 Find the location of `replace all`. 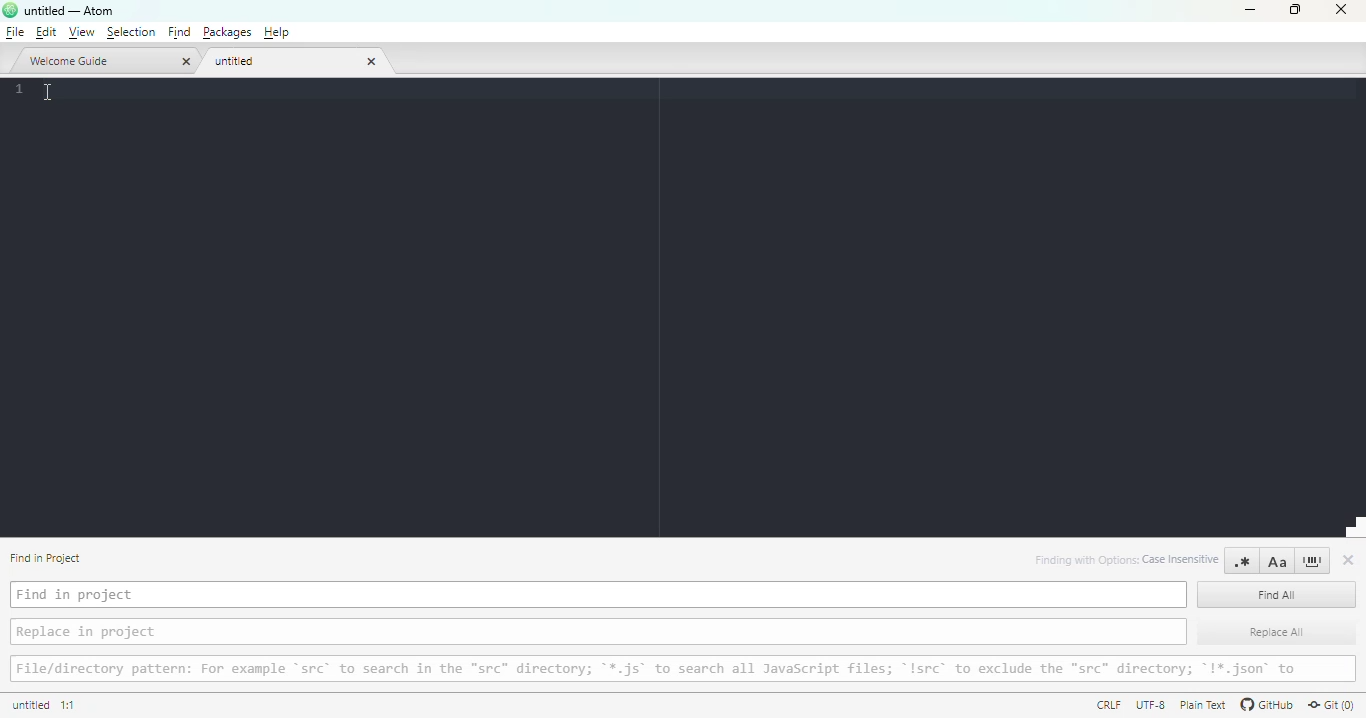

replace all is located at coordinates (1278, 629).